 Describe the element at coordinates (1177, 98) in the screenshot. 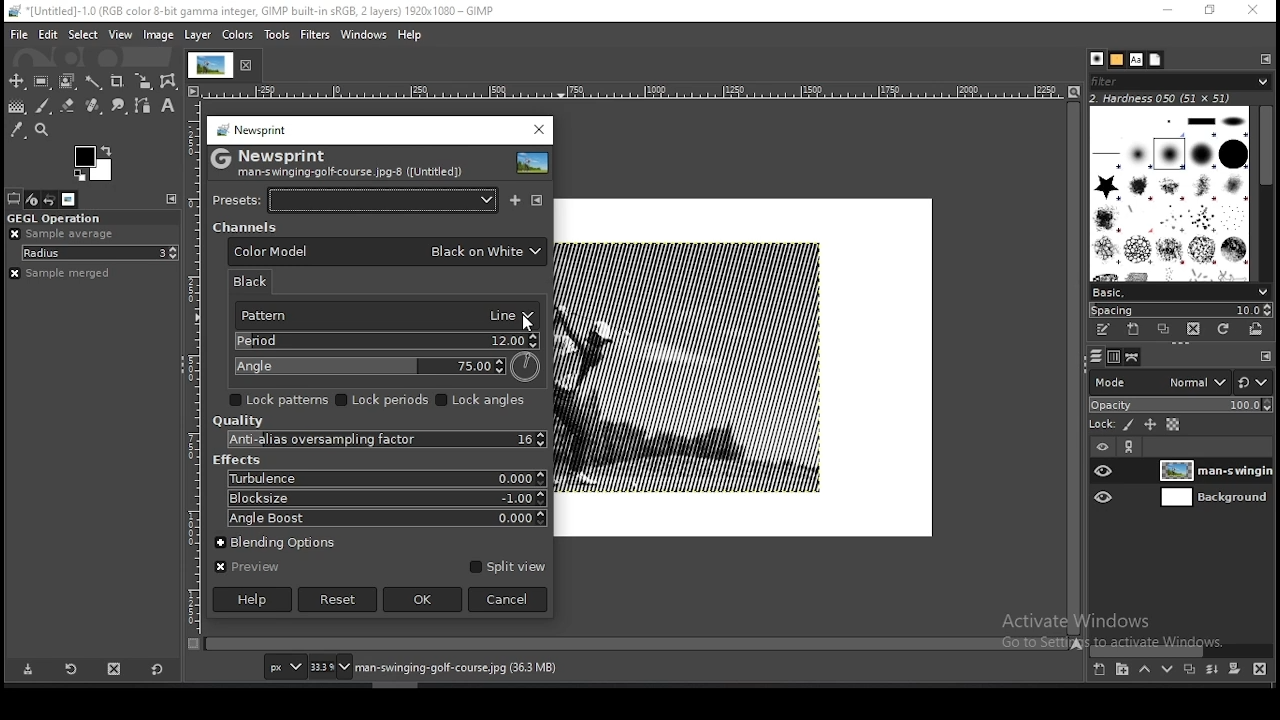

I see `hardness 050 (51x51)` at that location.